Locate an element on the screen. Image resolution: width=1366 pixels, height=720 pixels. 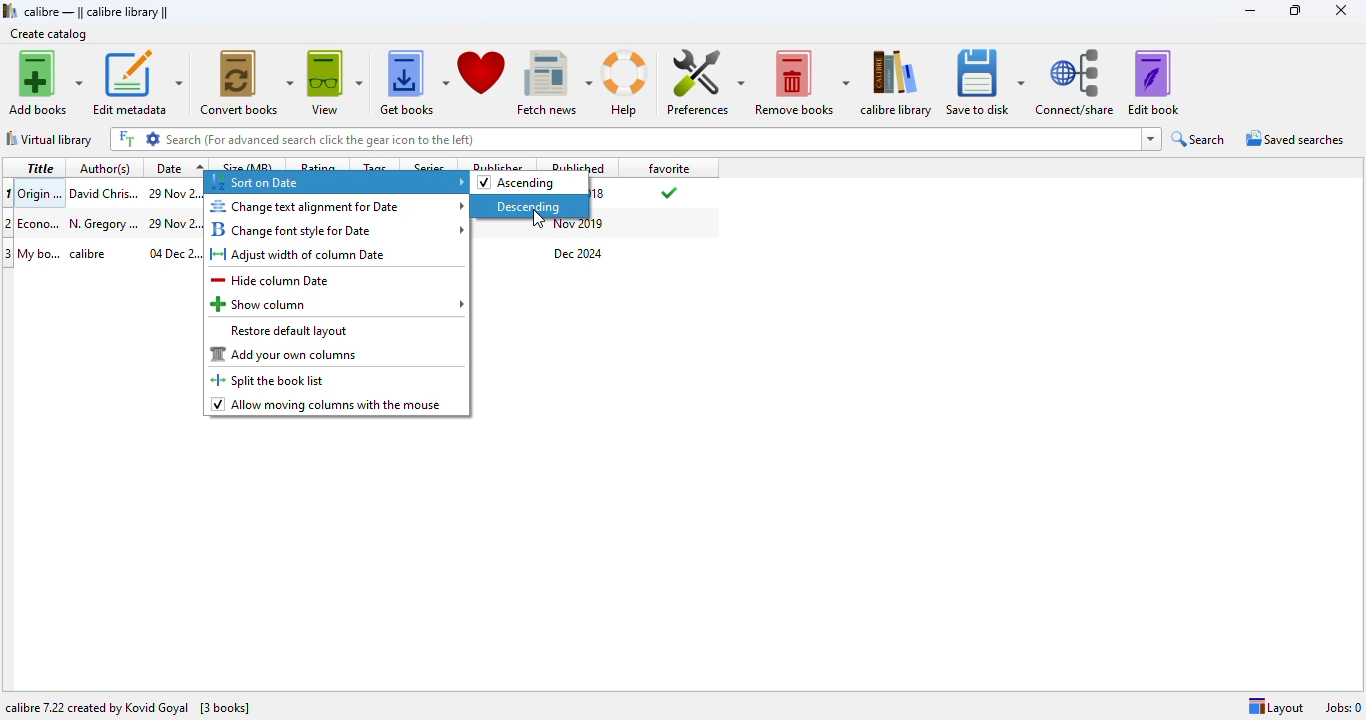
restore default layout is located at coordinates (289, 331).